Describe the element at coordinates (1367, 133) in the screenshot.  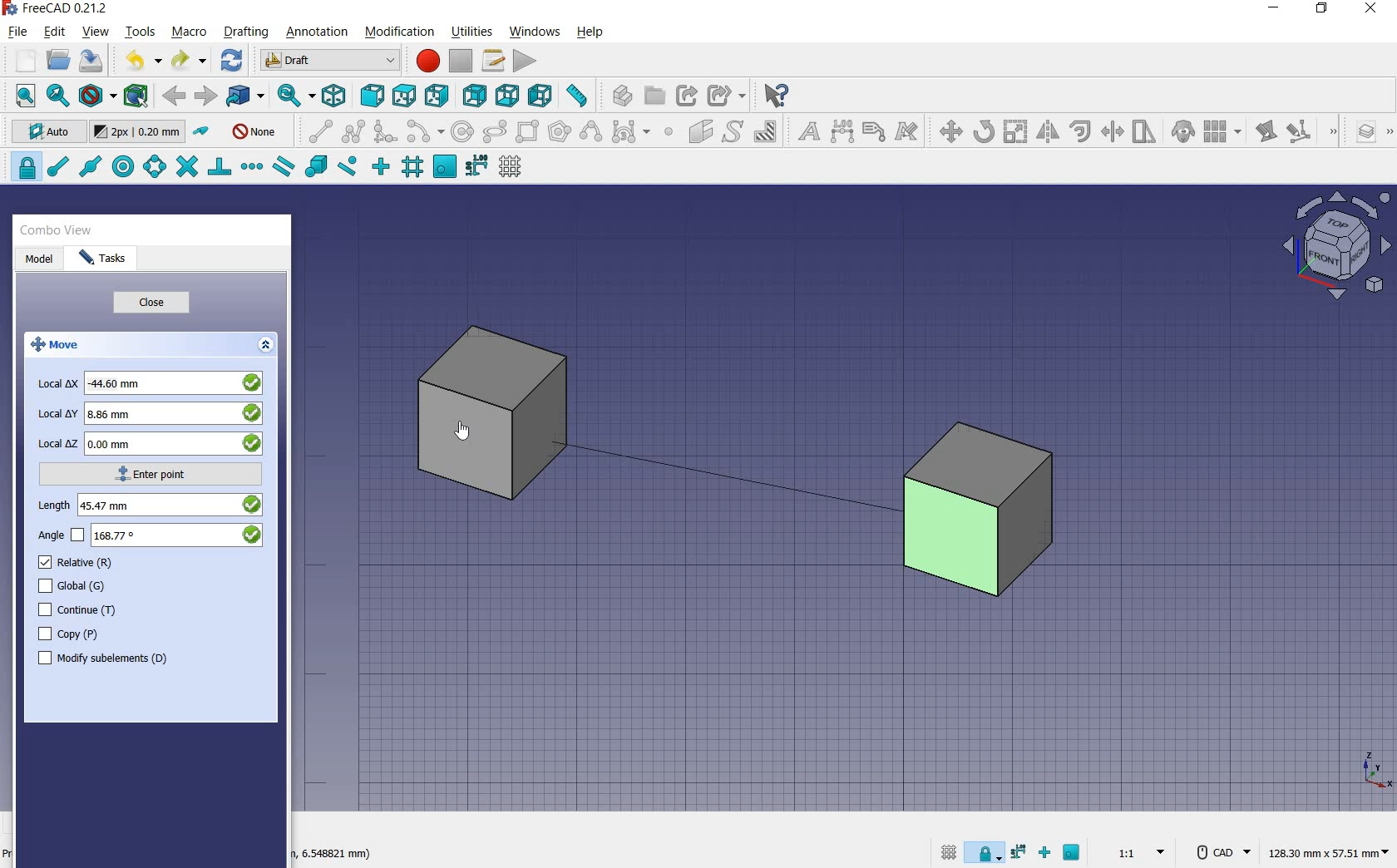
I see `manage layers` at that location.